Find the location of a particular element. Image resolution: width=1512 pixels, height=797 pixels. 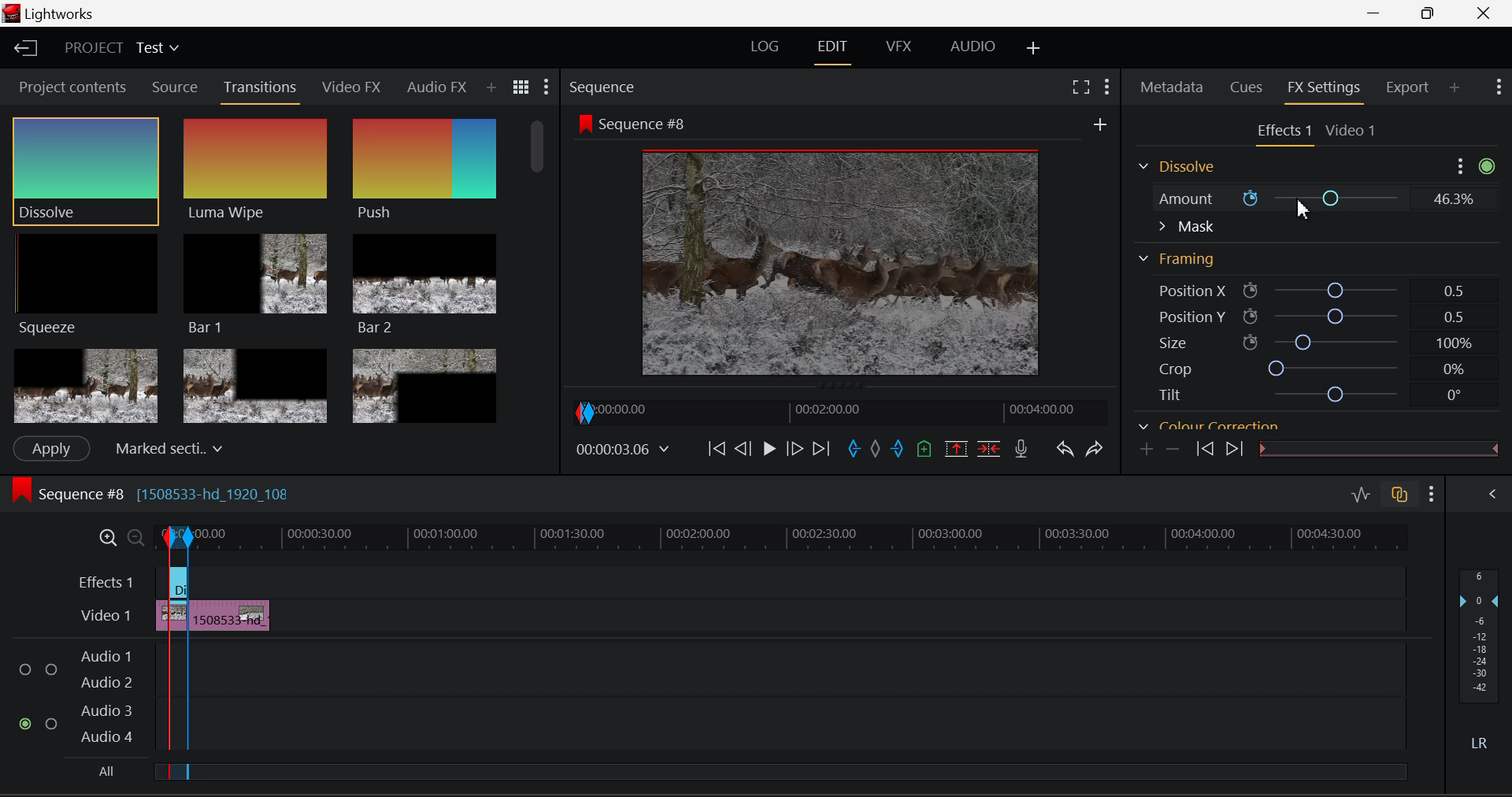

Source is located at coordinates (176, 87).